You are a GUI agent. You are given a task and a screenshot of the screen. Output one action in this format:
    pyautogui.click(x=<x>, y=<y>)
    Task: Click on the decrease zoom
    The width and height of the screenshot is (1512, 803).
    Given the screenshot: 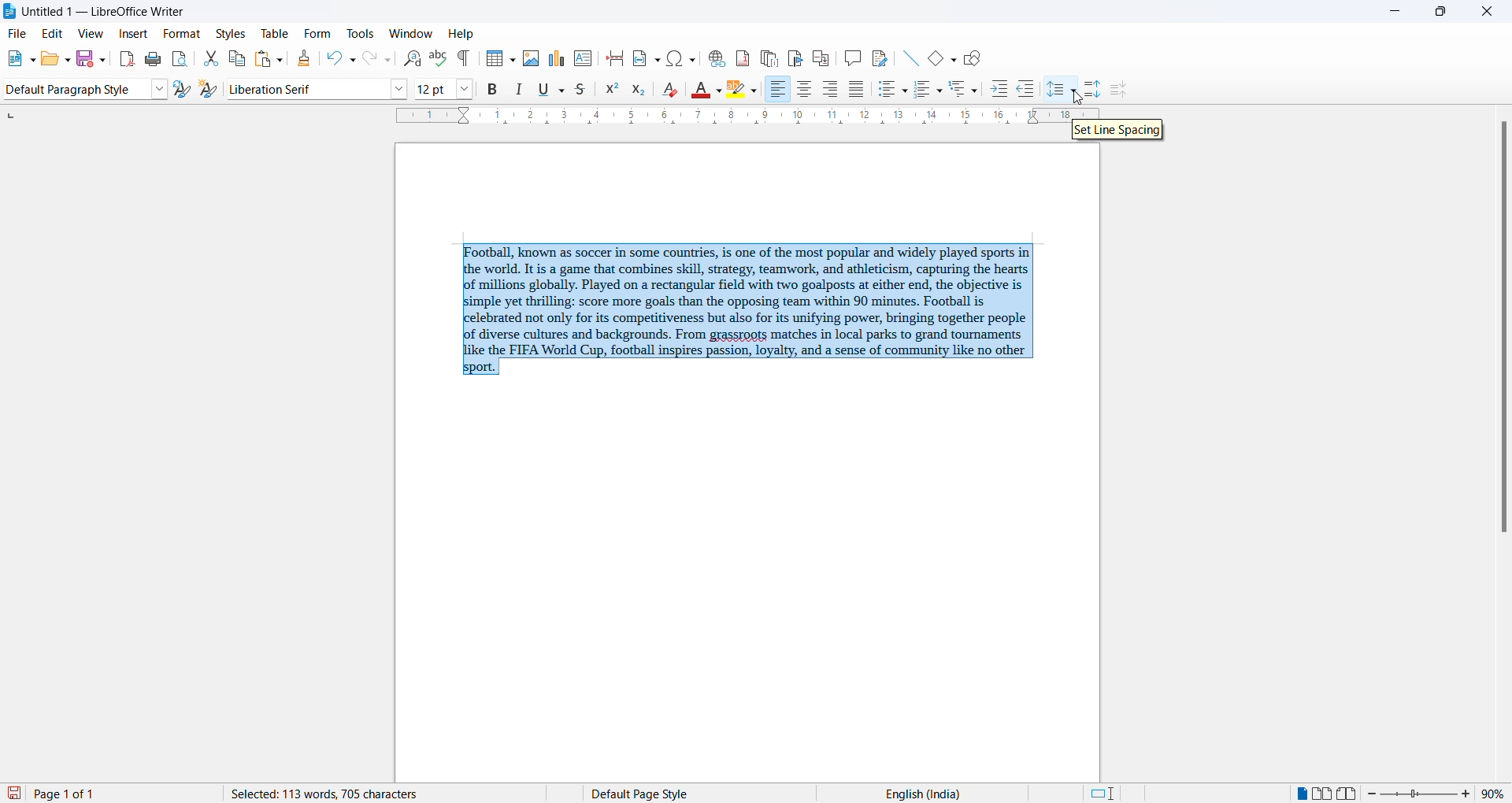 What is the action you would take?
    pyautogui.click(x=1373, y=792)
    